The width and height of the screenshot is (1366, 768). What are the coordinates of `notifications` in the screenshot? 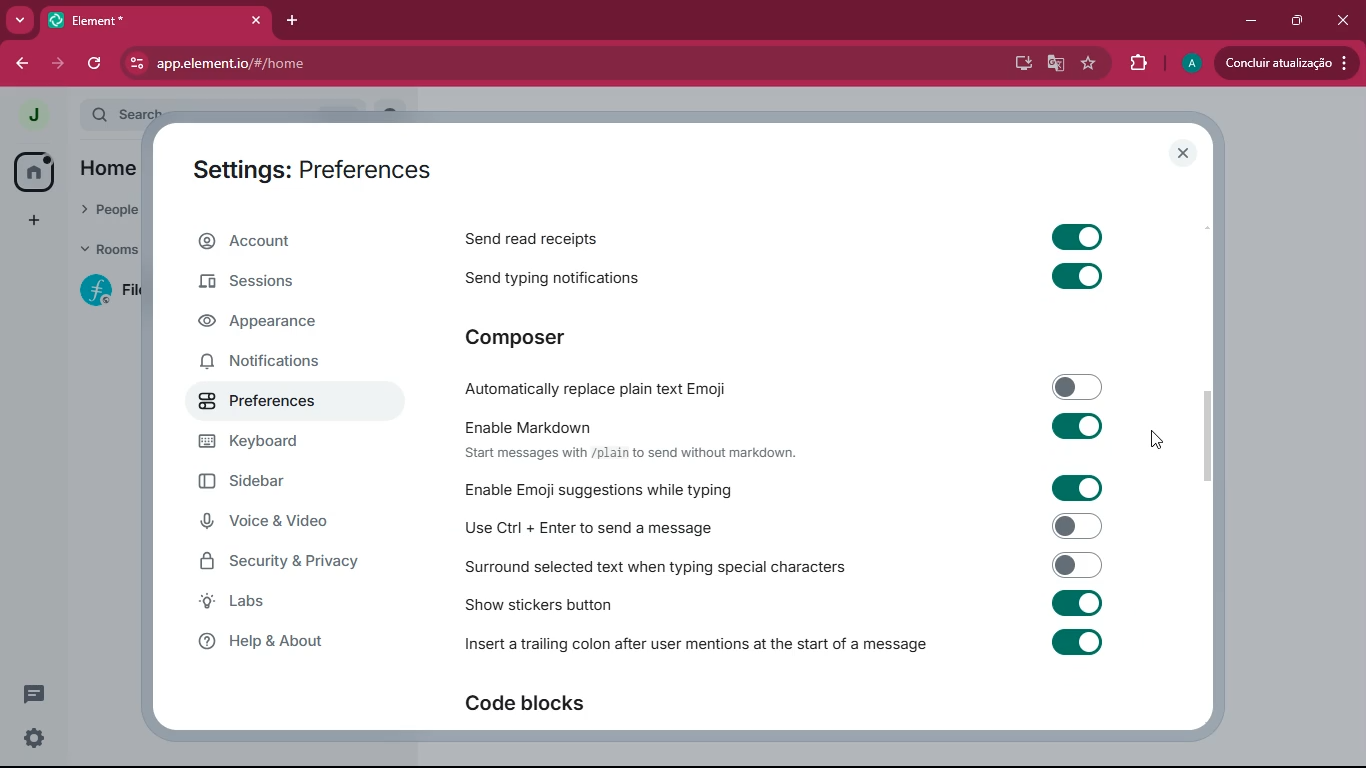 It's located at (277, 364).